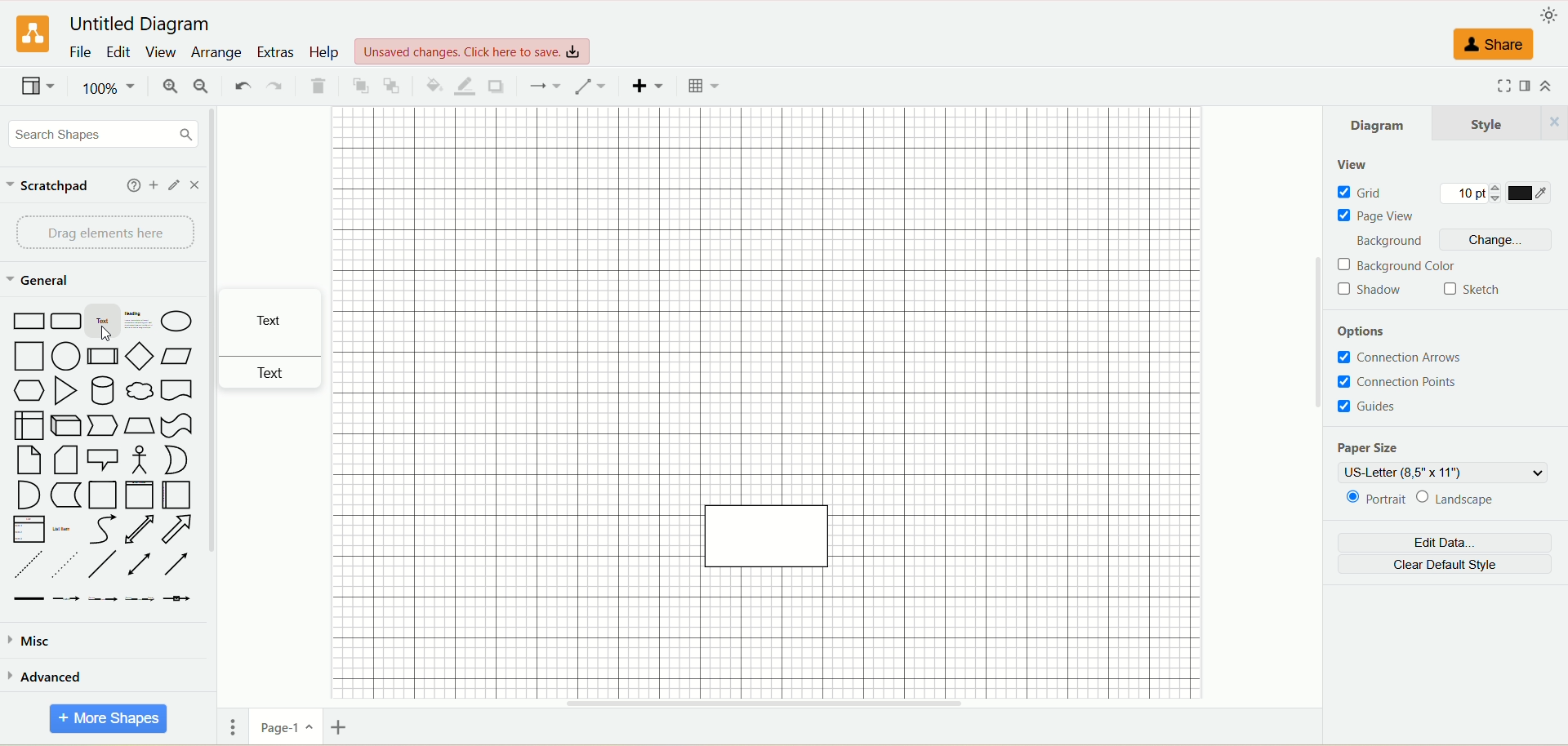 This screenshot has height=746, width=1568. I want to click on text, so click(103, 322).